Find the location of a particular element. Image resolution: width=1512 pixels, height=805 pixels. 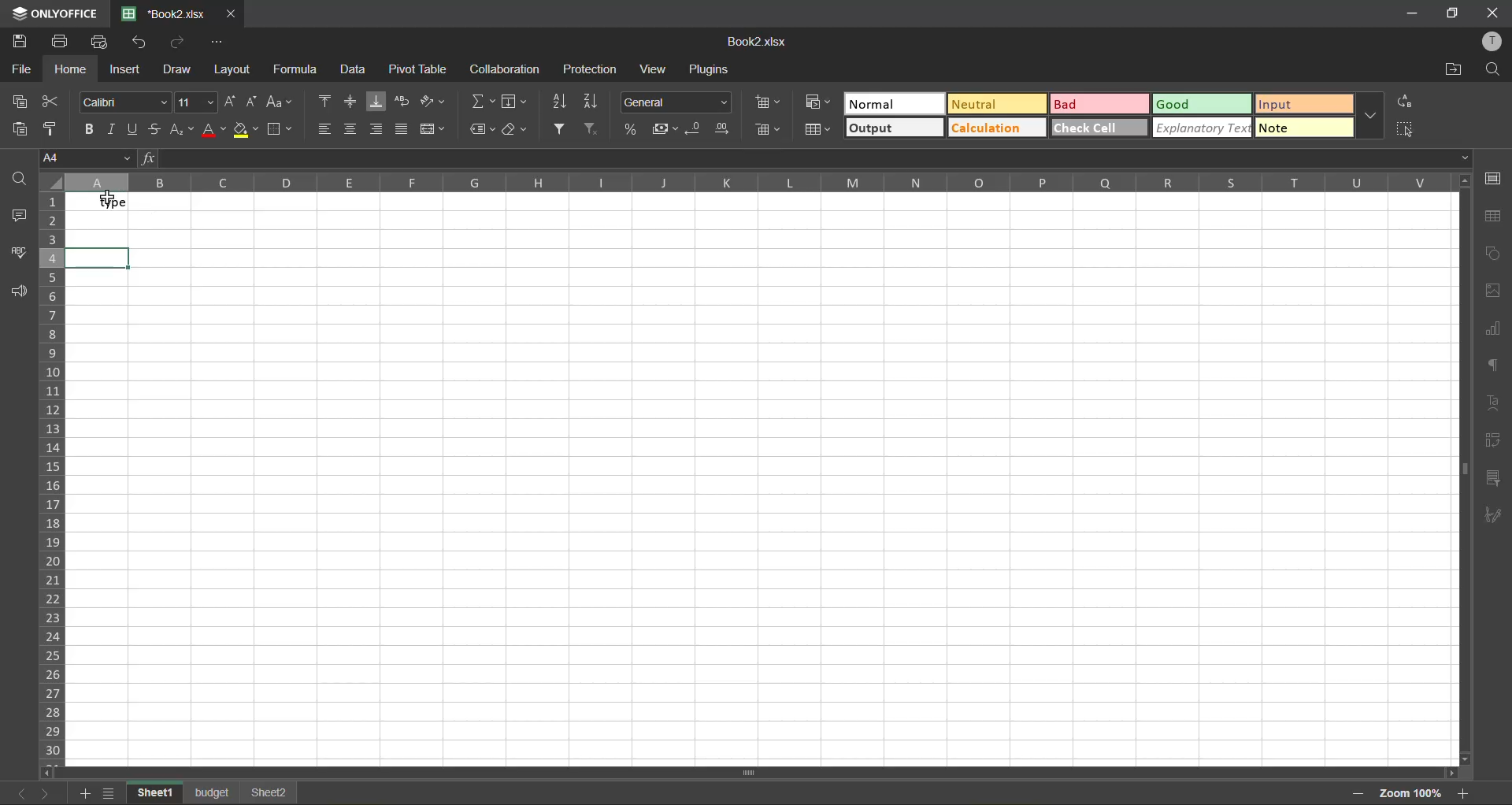

close tab is located at coordinates (232, 14).